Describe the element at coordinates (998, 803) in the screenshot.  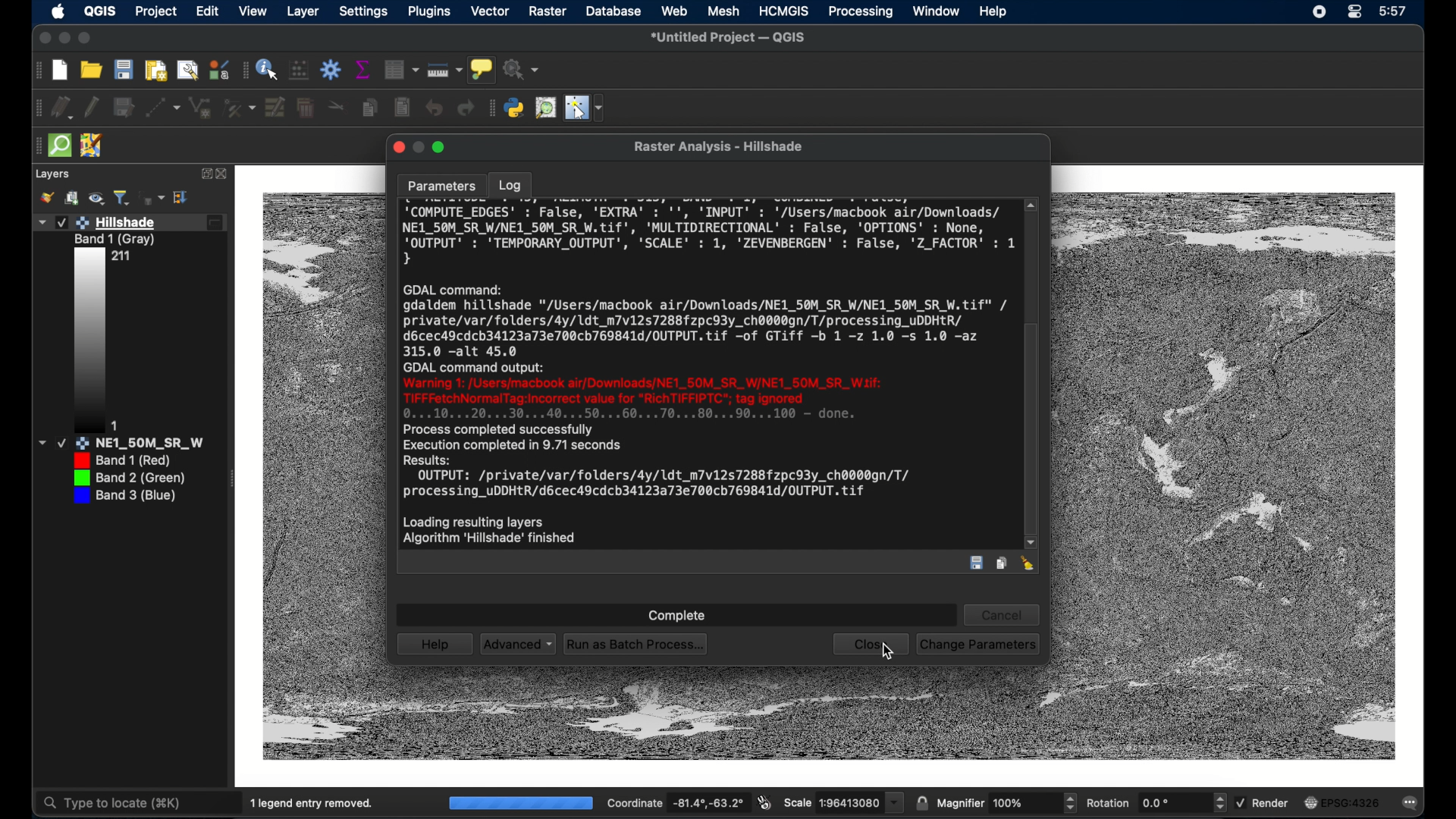
I see `magnifier` at that location.